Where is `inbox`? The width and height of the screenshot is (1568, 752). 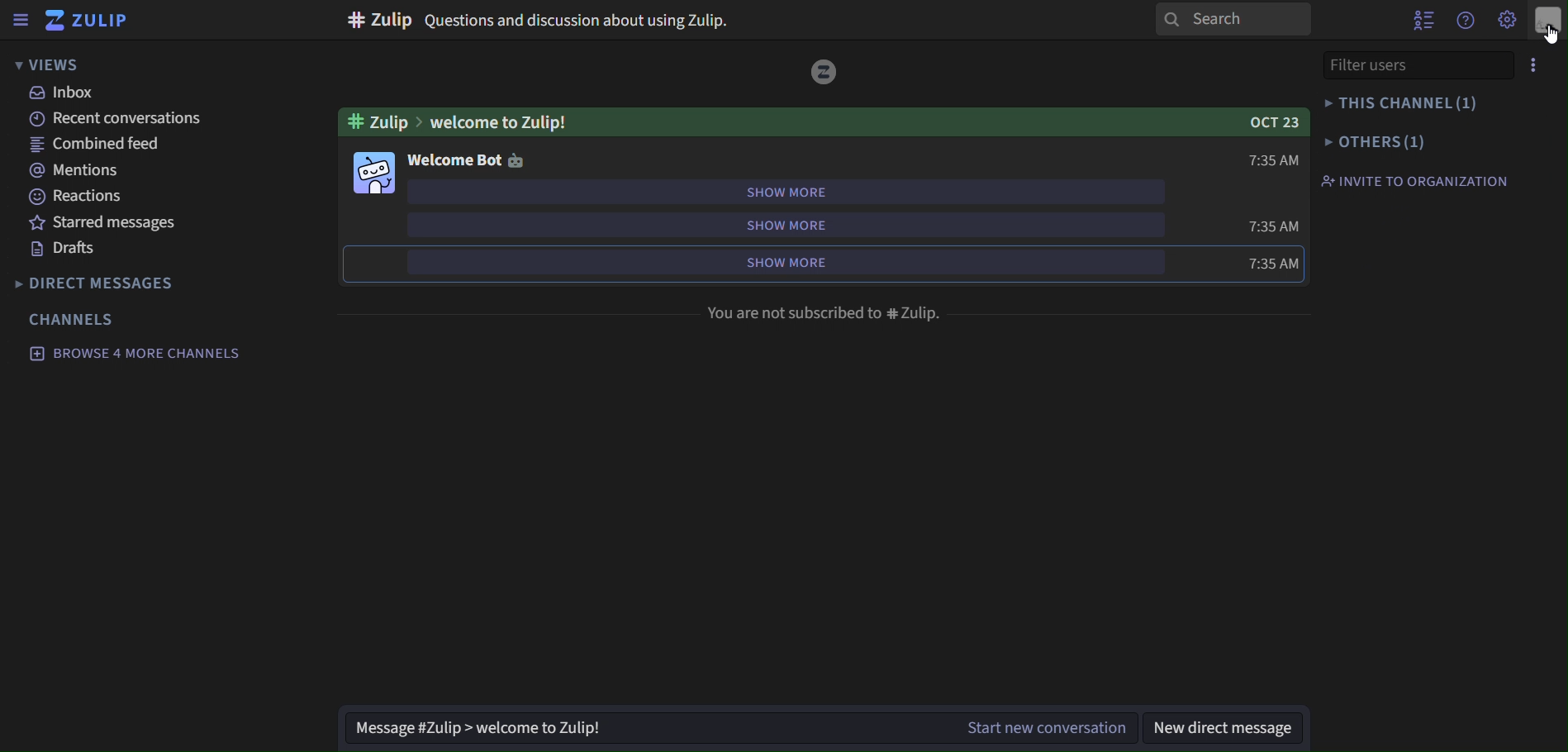 inbox is located at coordinates (62, 93).